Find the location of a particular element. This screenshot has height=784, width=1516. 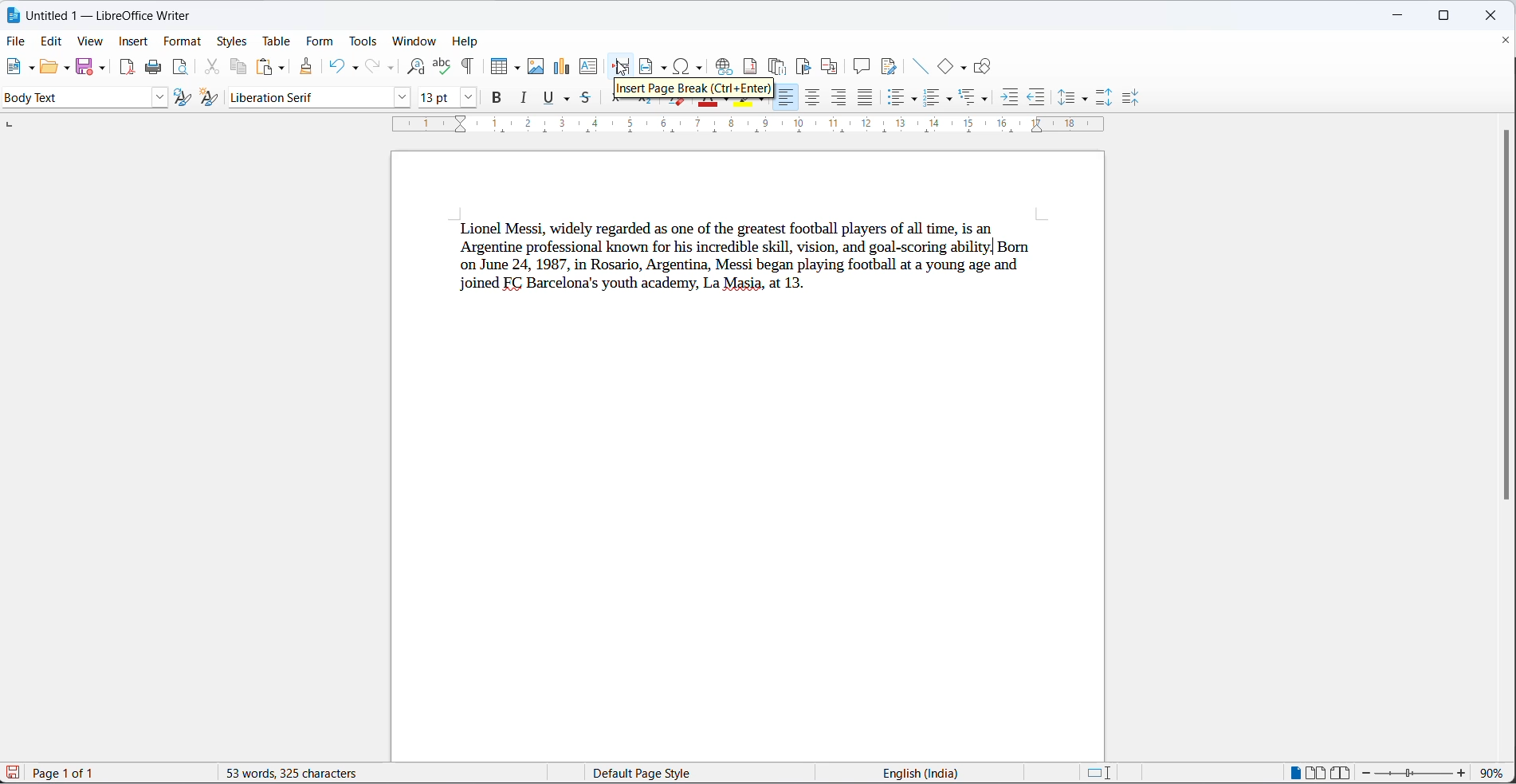

character highlighting icon is located at coordinates (740, 105).